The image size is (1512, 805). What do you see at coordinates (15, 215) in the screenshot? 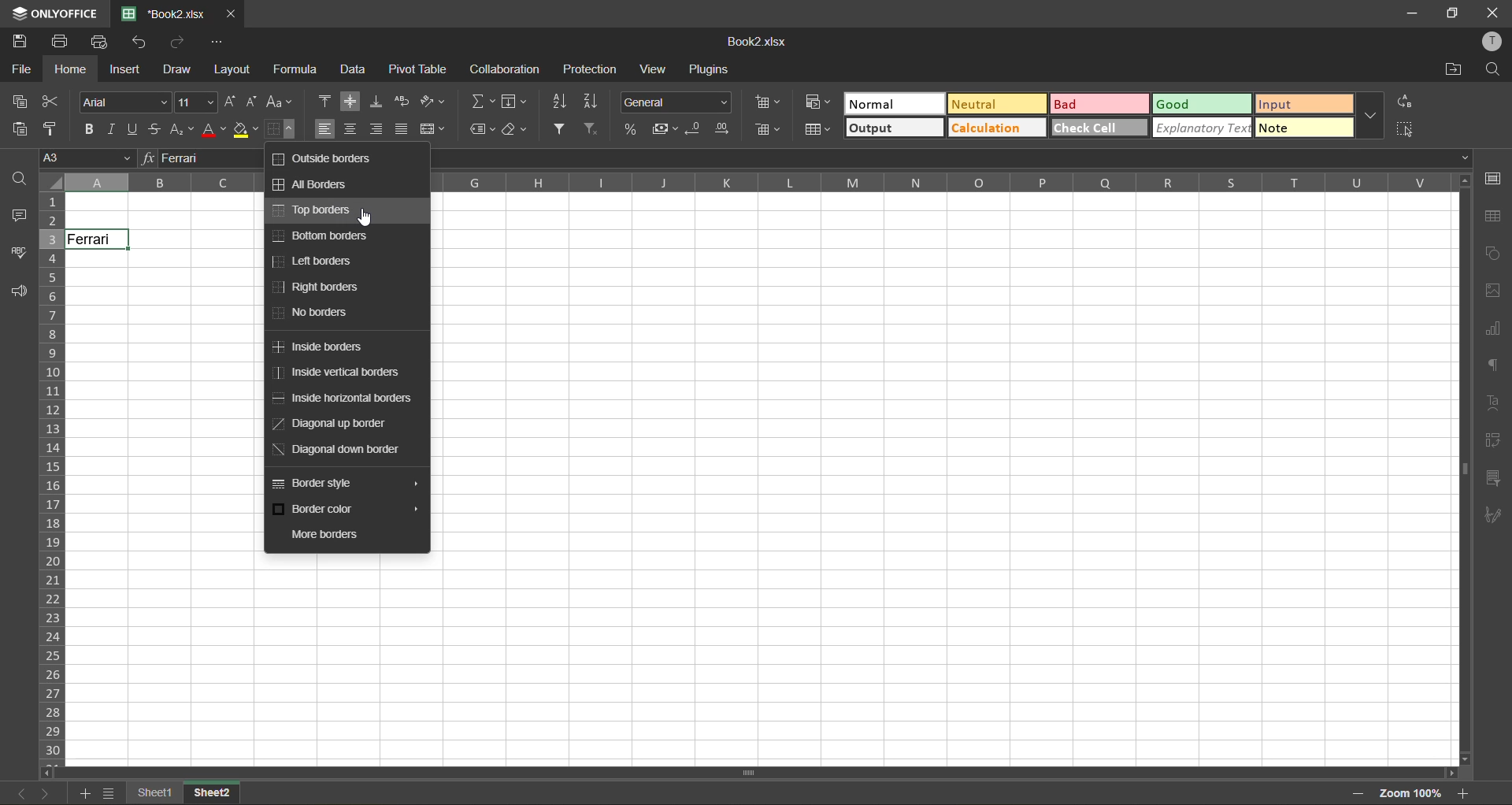
I see `comments` at bounding box center [15, 215].